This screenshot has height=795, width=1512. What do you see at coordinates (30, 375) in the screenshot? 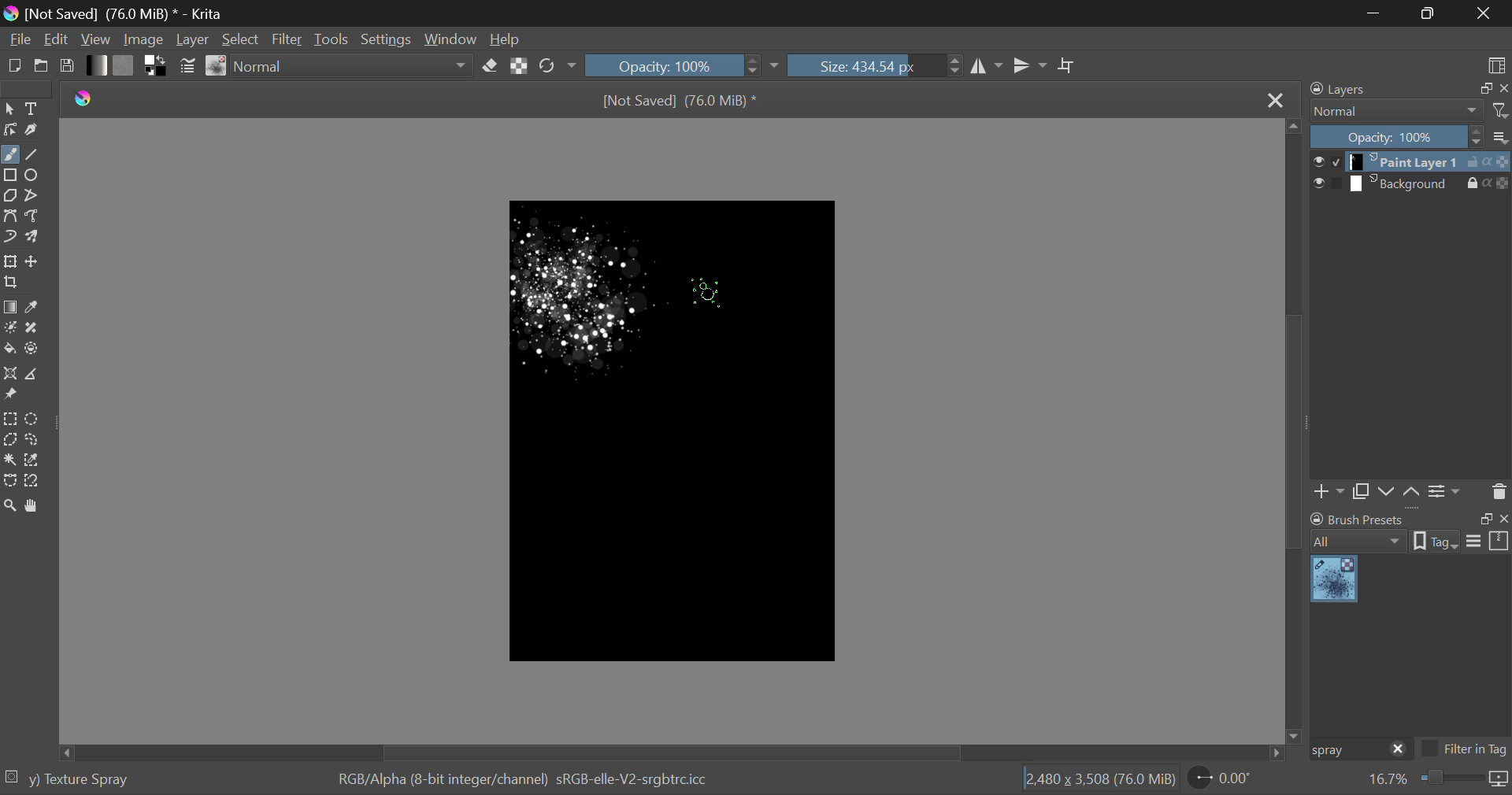
I see `Measurements` at bounding box center [30, 375].